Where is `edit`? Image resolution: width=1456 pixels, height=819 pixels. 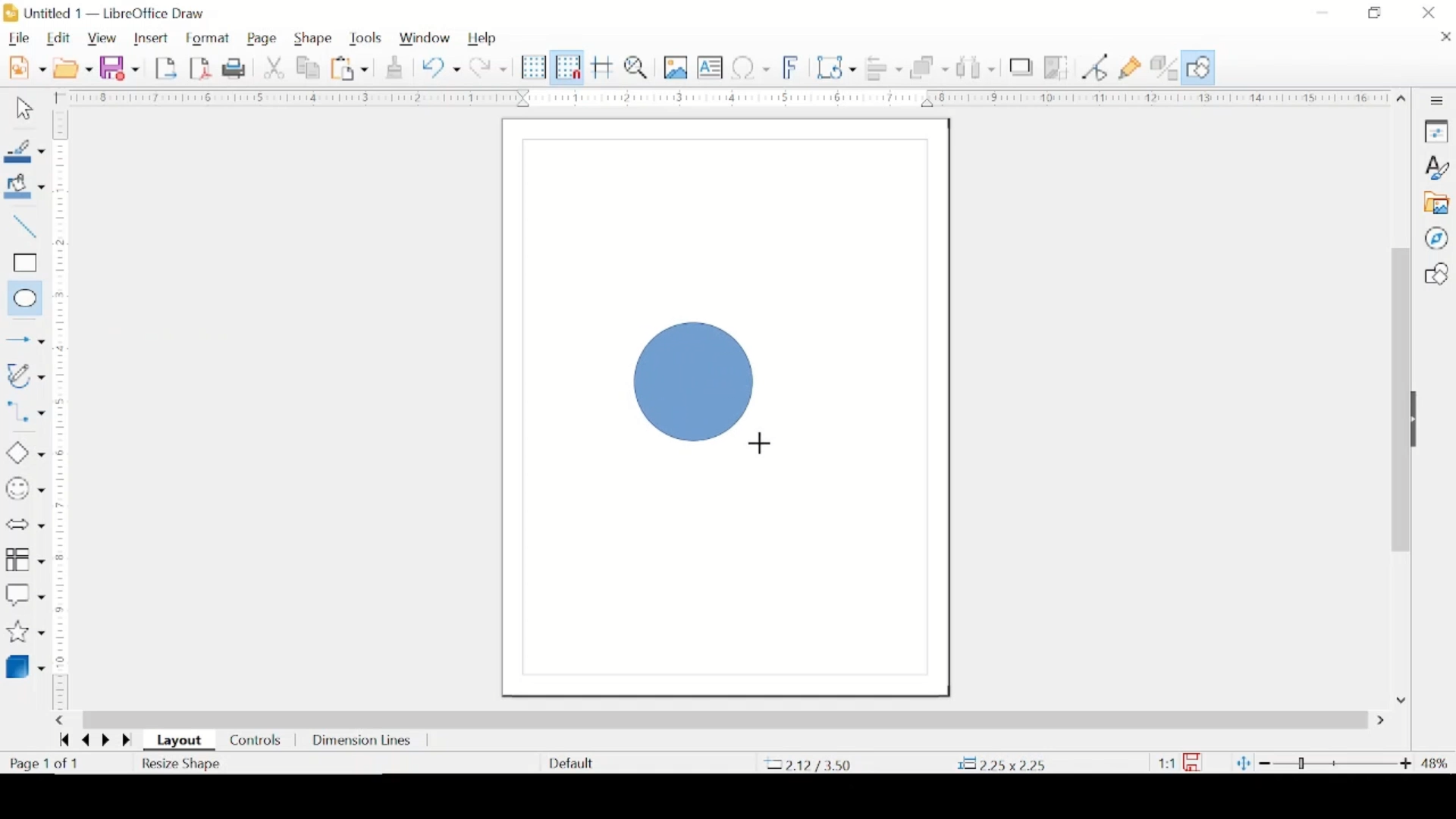 edit is located at coordinates (61, 38).